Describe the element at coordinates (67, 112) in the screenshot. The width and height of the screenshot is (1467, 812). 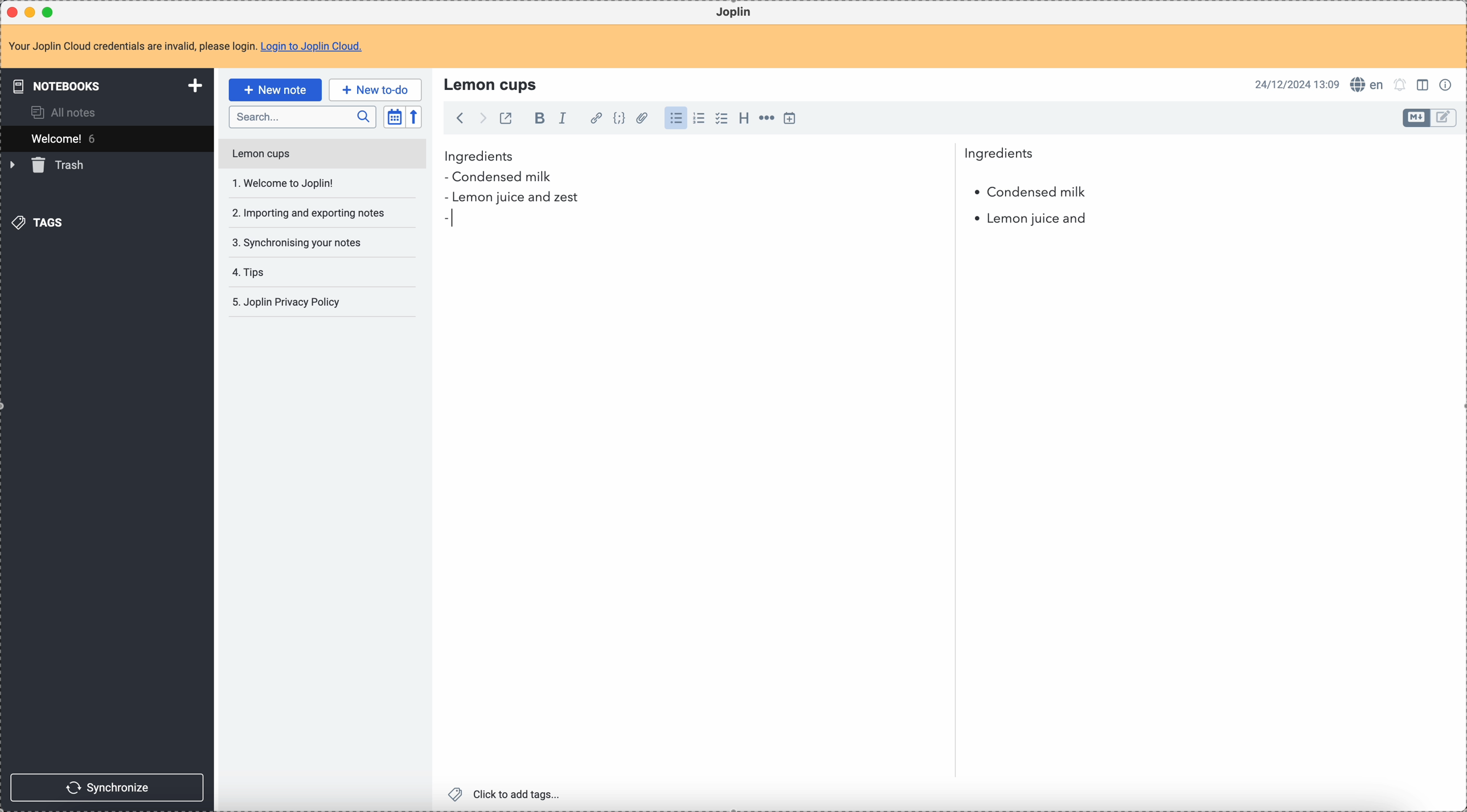
I see `all notes` at that location.